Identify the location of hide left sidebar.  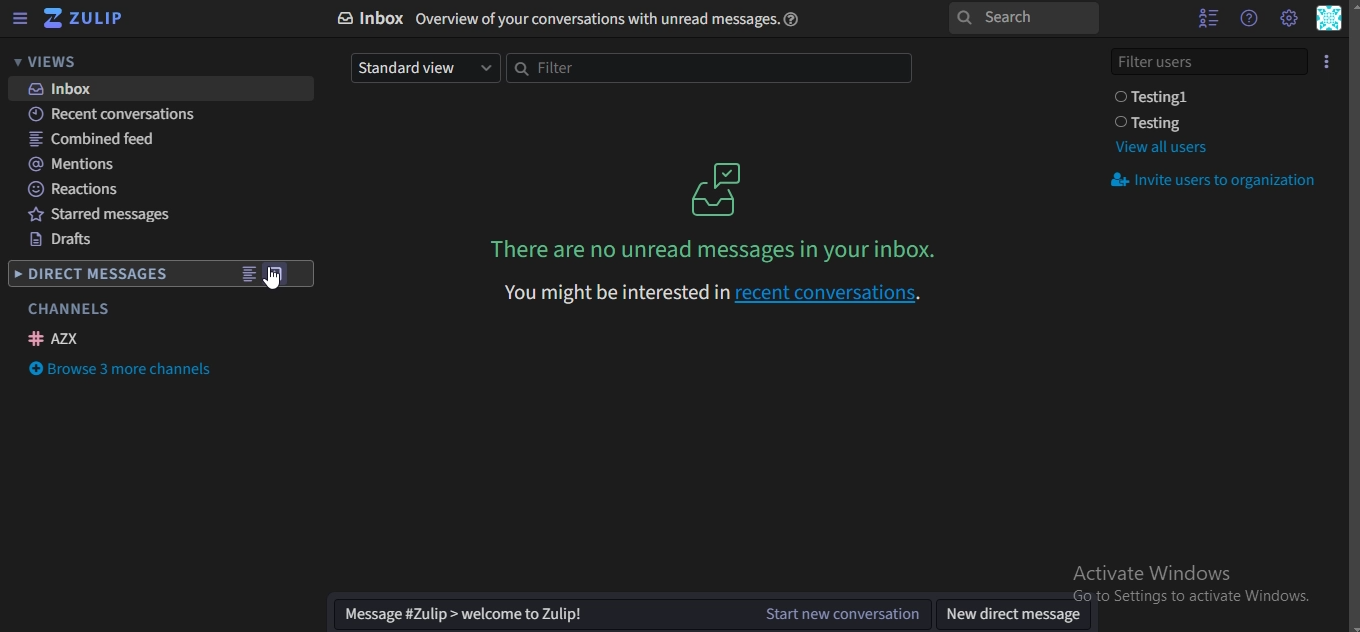
(20, 20).